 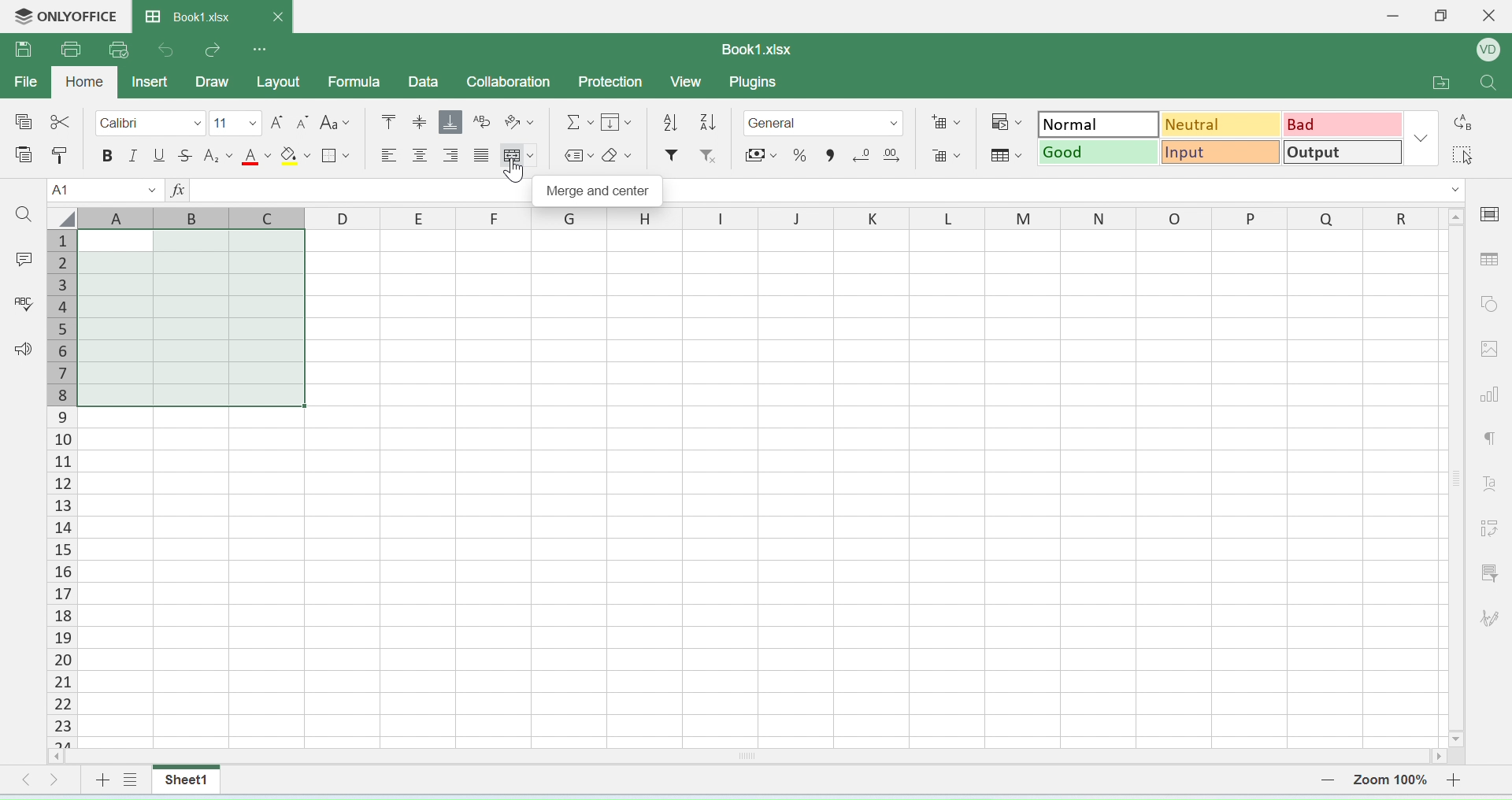 What do you see at coordinates (391, 123) in the screenshot?
I see `mo` at bounding box center [391, 123].